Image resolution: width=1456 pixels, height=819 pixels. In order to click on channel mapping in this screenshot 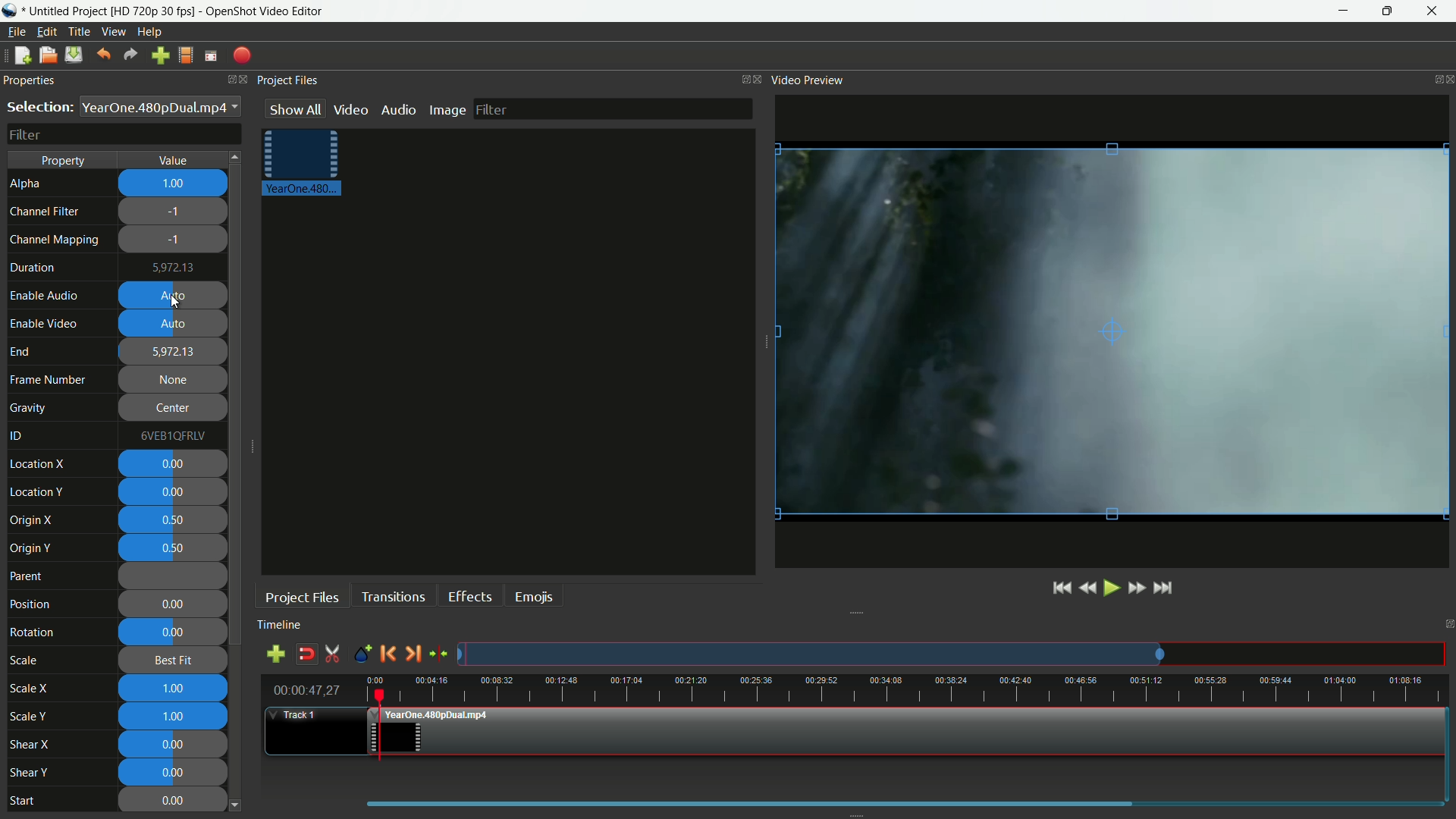, I will do `click(55, 240)`.